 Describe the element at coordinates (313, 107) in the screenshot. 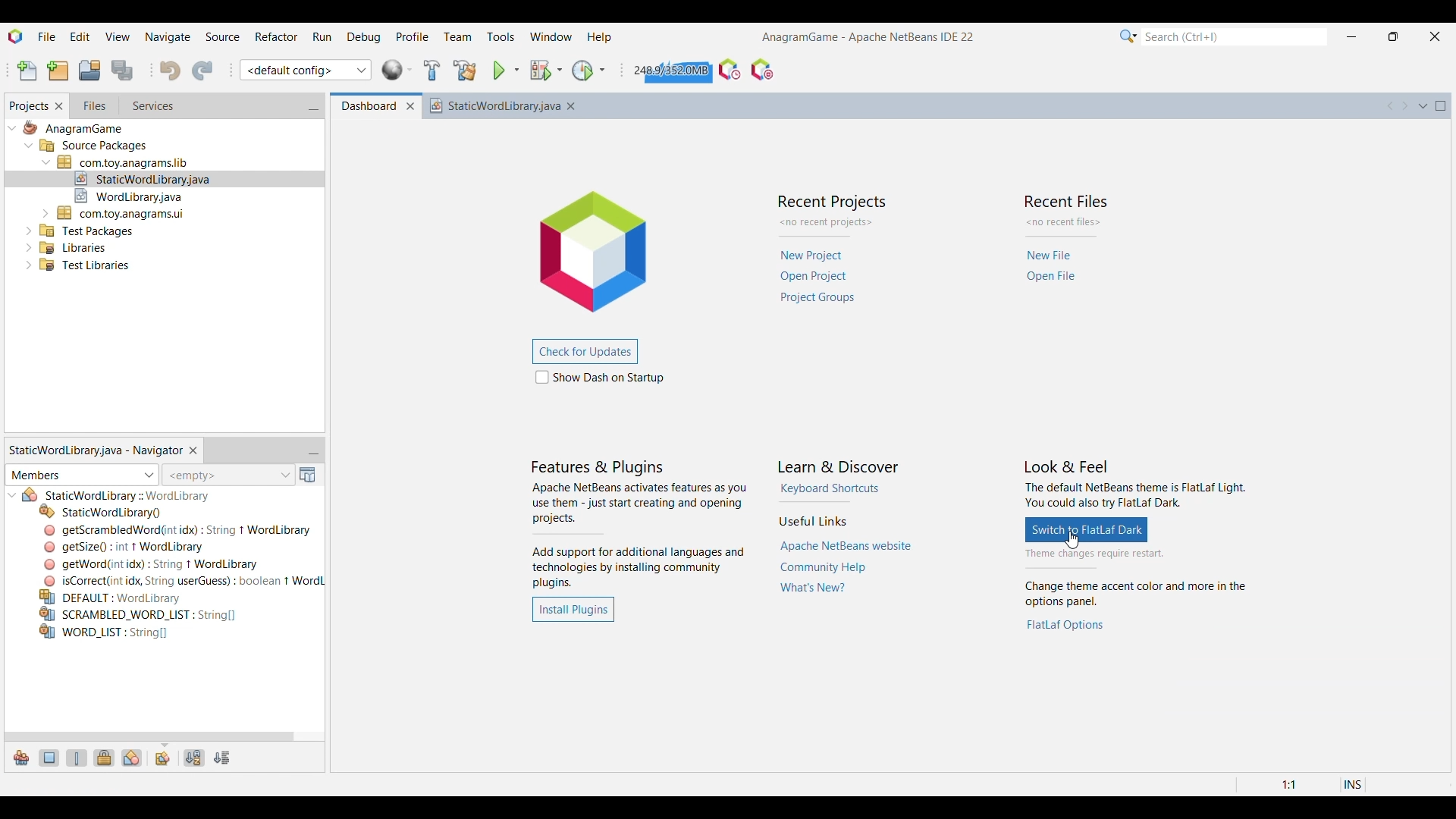

I see `Minimize window group` at that location.